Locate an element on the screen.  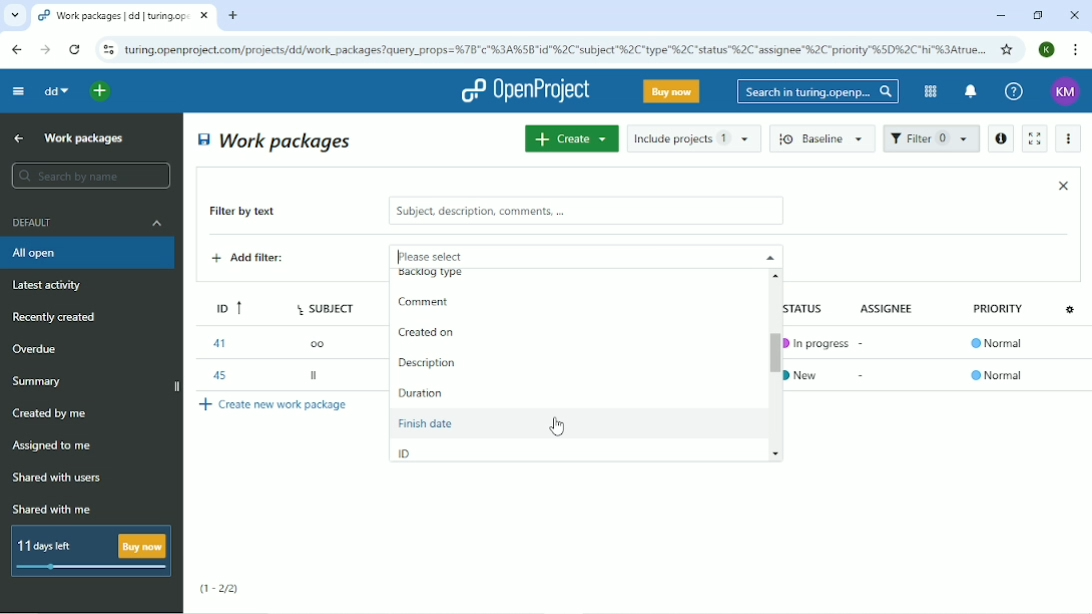
11 days left buy now is located at coordinates (89, 551).